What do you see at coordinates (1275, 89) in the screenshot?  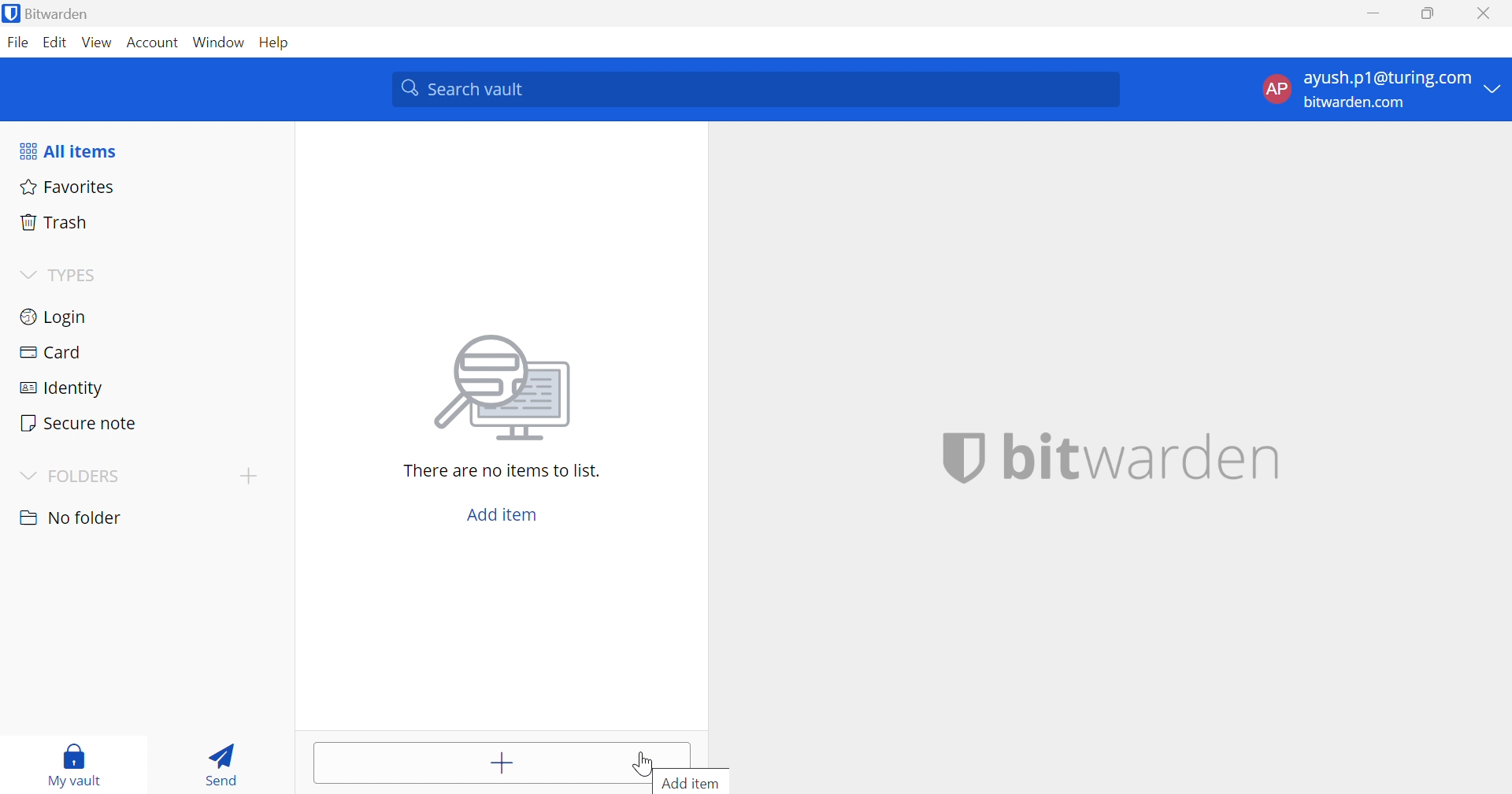 I see `AP` at bounding box center [1275, 89].